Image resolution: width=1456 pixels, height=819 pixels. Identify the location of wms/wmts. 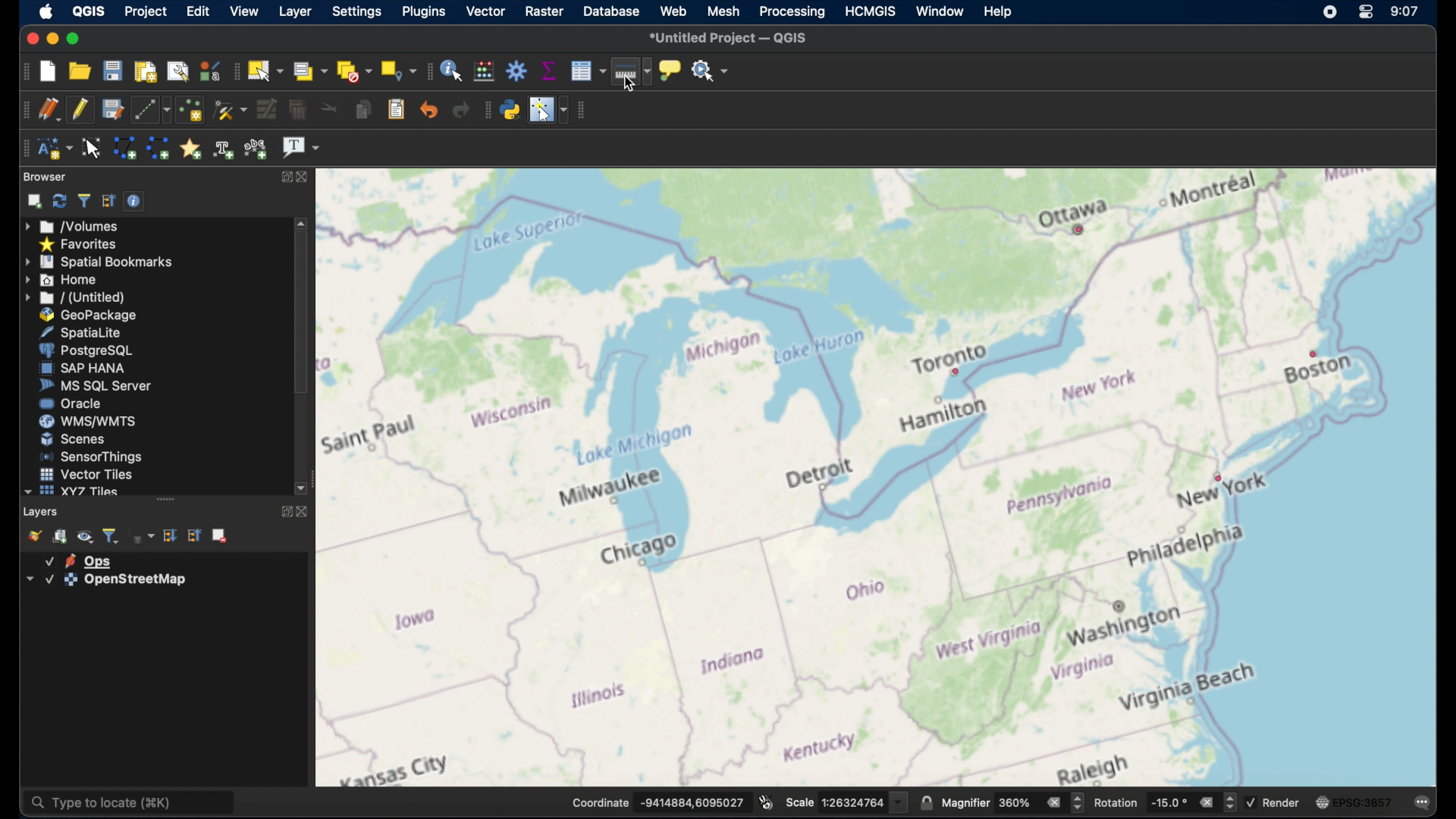
(87, 422).